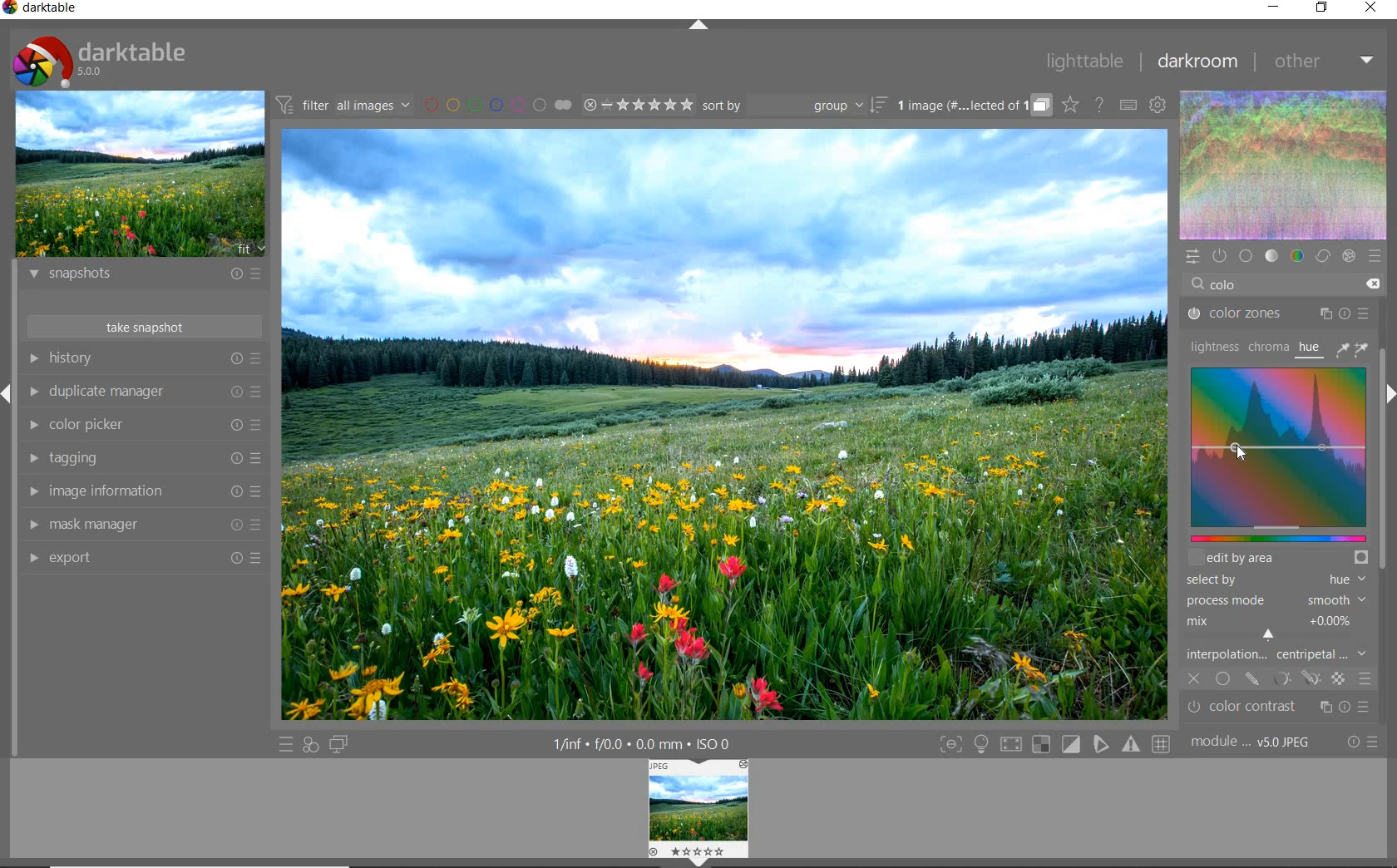 This screenshot has width=1397, height=868. What do you see at coordinates (147, 393) in the screenshot?
I see `duplicate manager` at bounding box center [147, 393].